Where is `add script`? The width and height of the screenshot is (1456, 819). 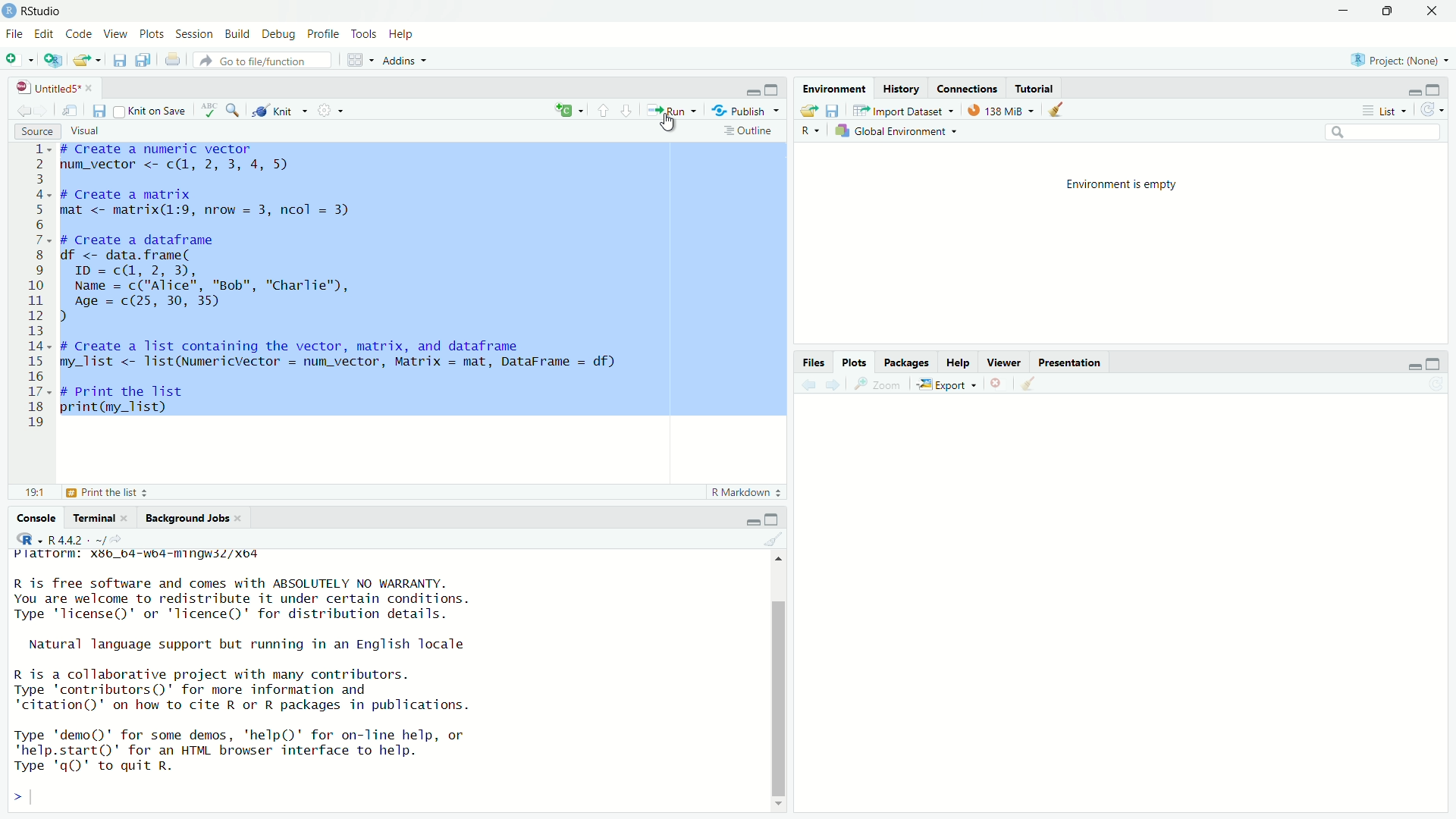
add script is located at coordinates (53, 62).